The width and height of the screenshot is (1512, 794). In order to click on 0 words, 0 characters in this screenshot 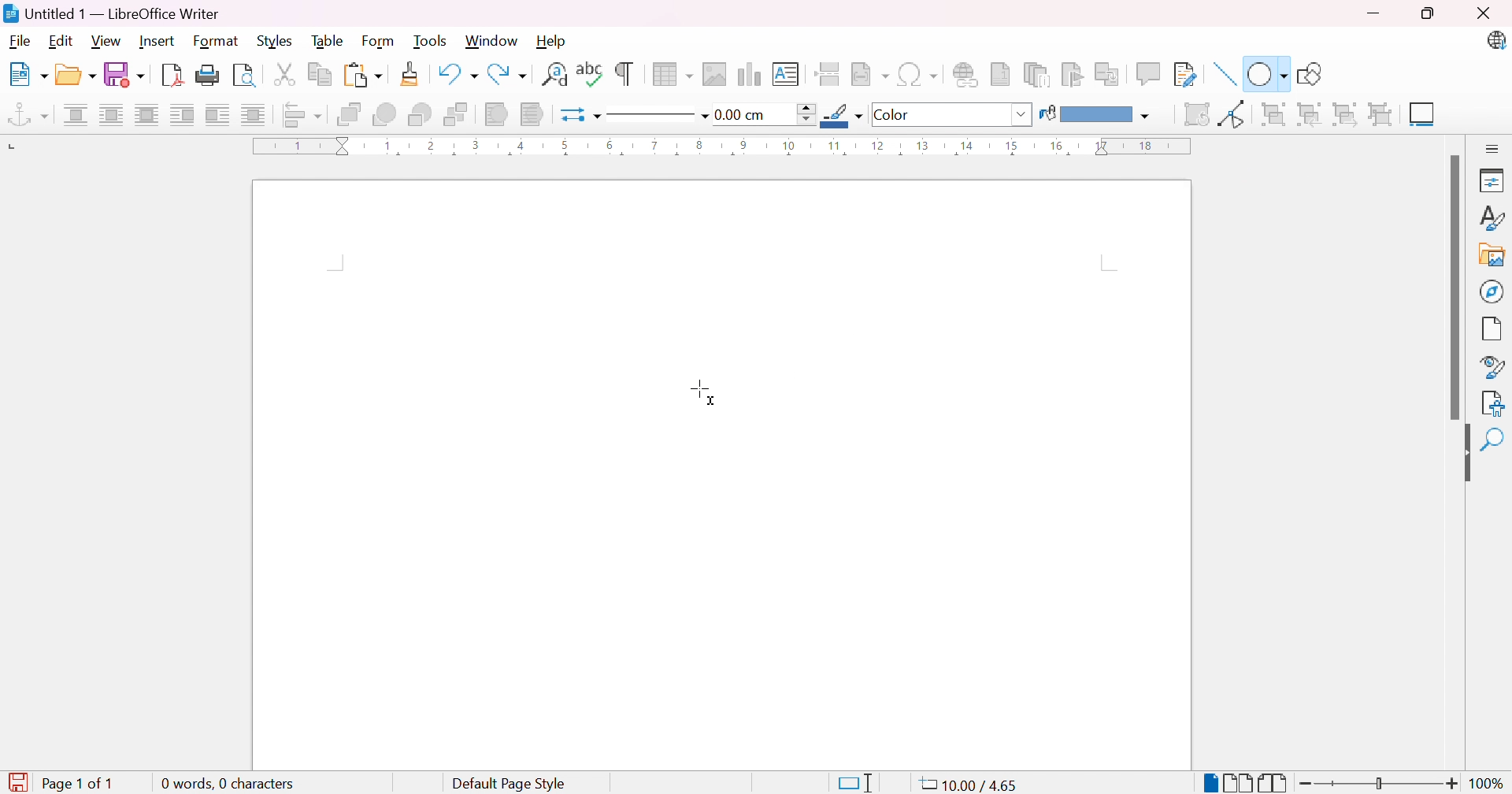, I will do `click(226, 781)`.